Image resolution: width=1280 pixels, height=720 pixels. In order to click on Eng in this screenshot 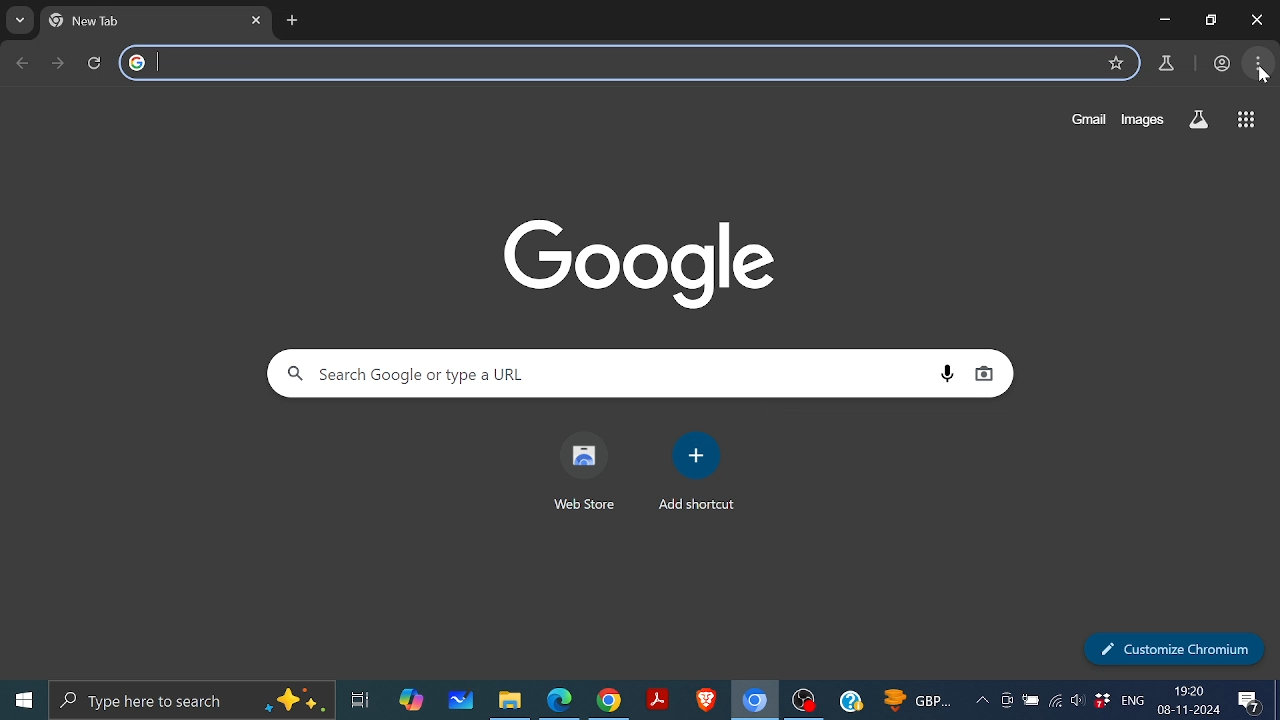, I will do `click(1134, 701)`.